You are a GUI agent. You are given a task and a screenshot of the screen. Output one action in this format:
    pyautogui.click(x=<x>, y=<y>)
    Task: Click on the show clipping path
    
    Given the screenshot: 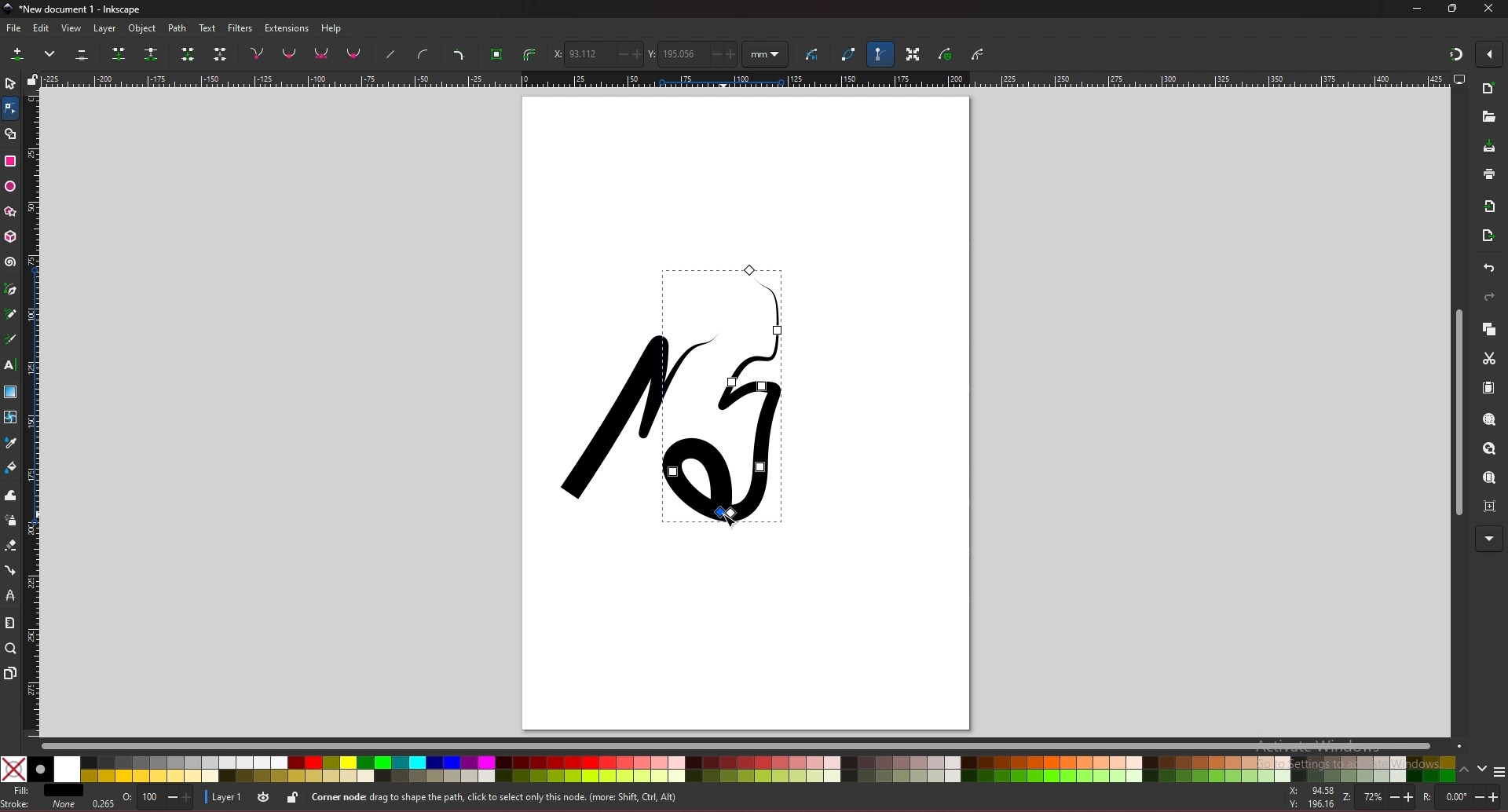 What is the action you would take?
    pyautogui.click(x=978, y=56)
    